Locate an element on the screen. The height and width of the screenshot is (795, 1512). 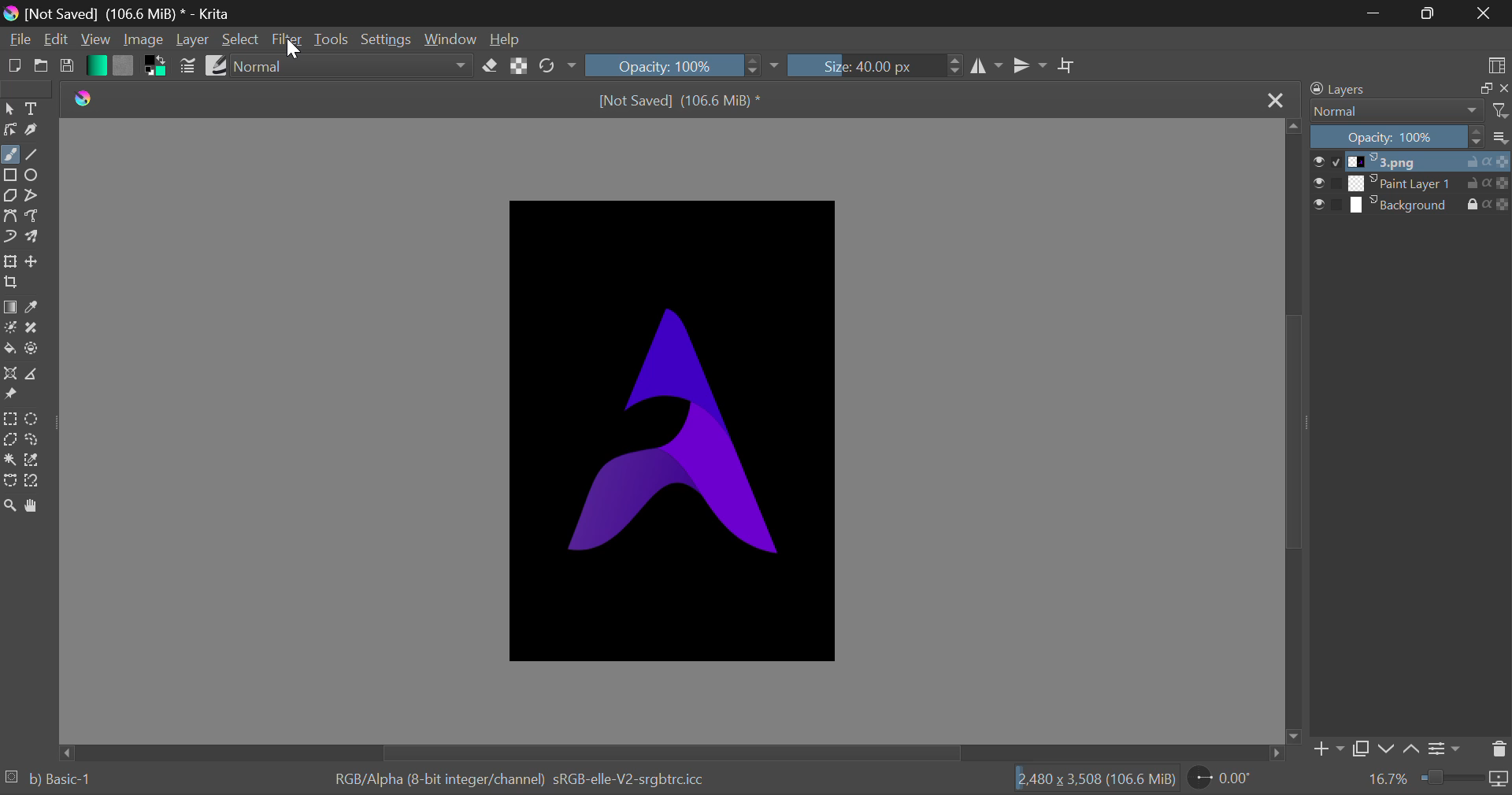
Crop is located at coordinates (1065, 65).